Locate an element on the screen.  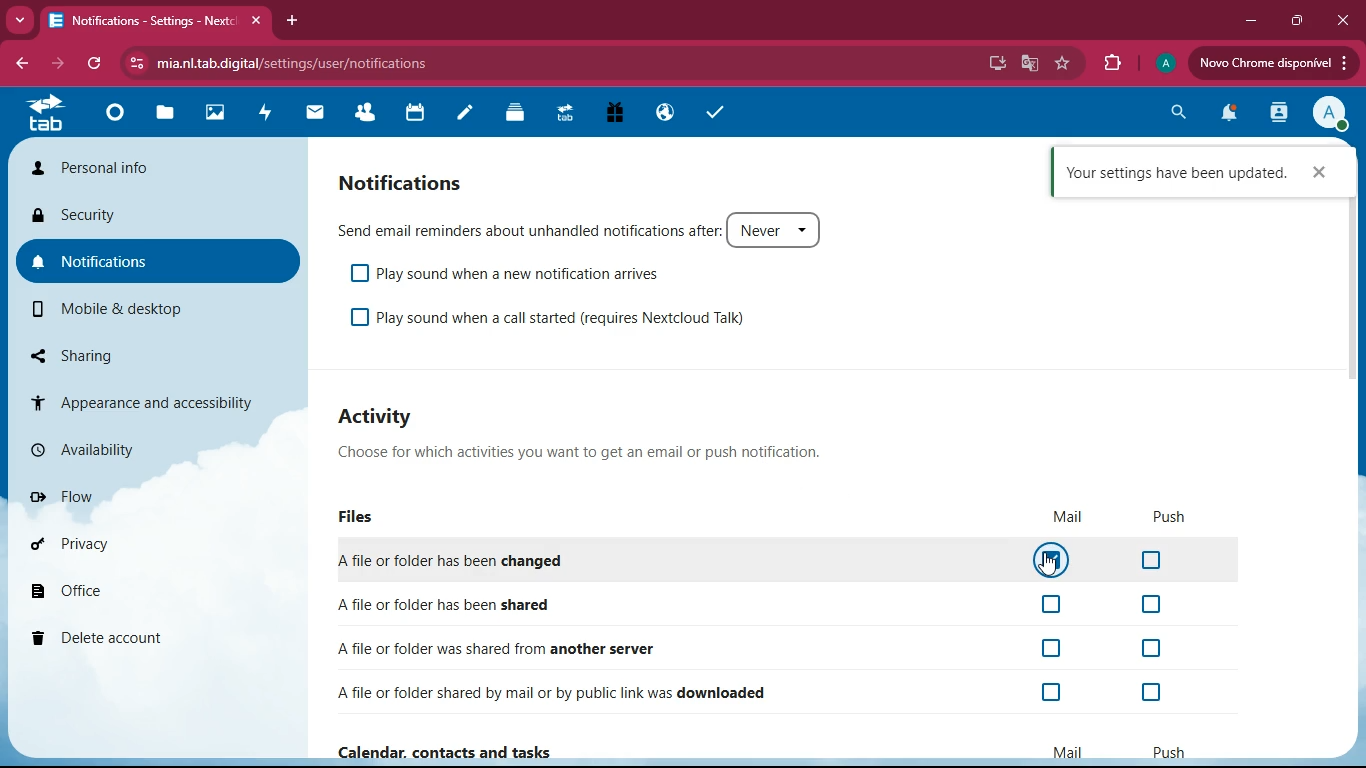
public is located at coordinates (668, 112).